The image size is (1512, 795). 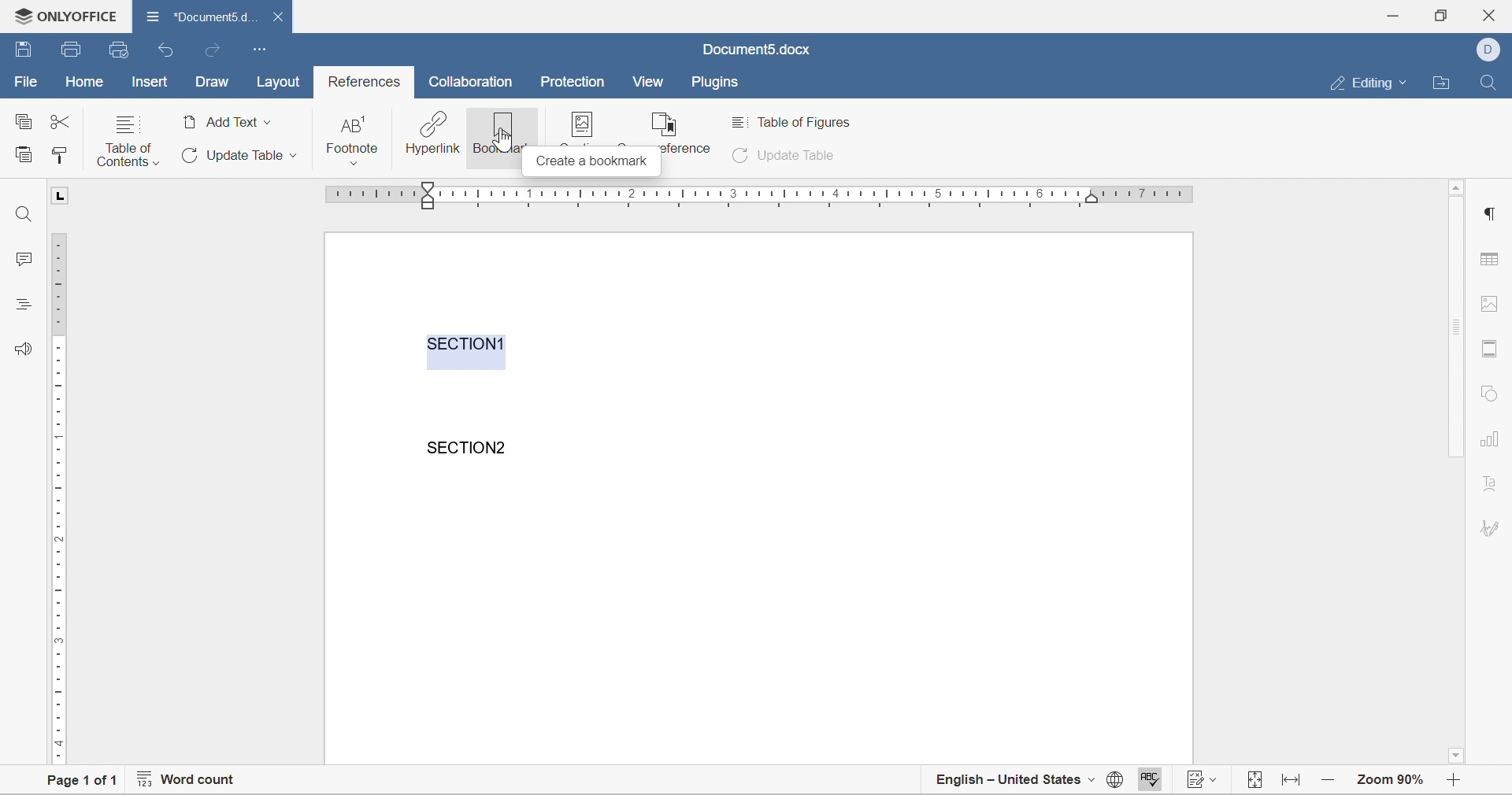 What do you see at coordinates (86, 81) in the screenshot?
I see `home` at bounding box center [86, 81].